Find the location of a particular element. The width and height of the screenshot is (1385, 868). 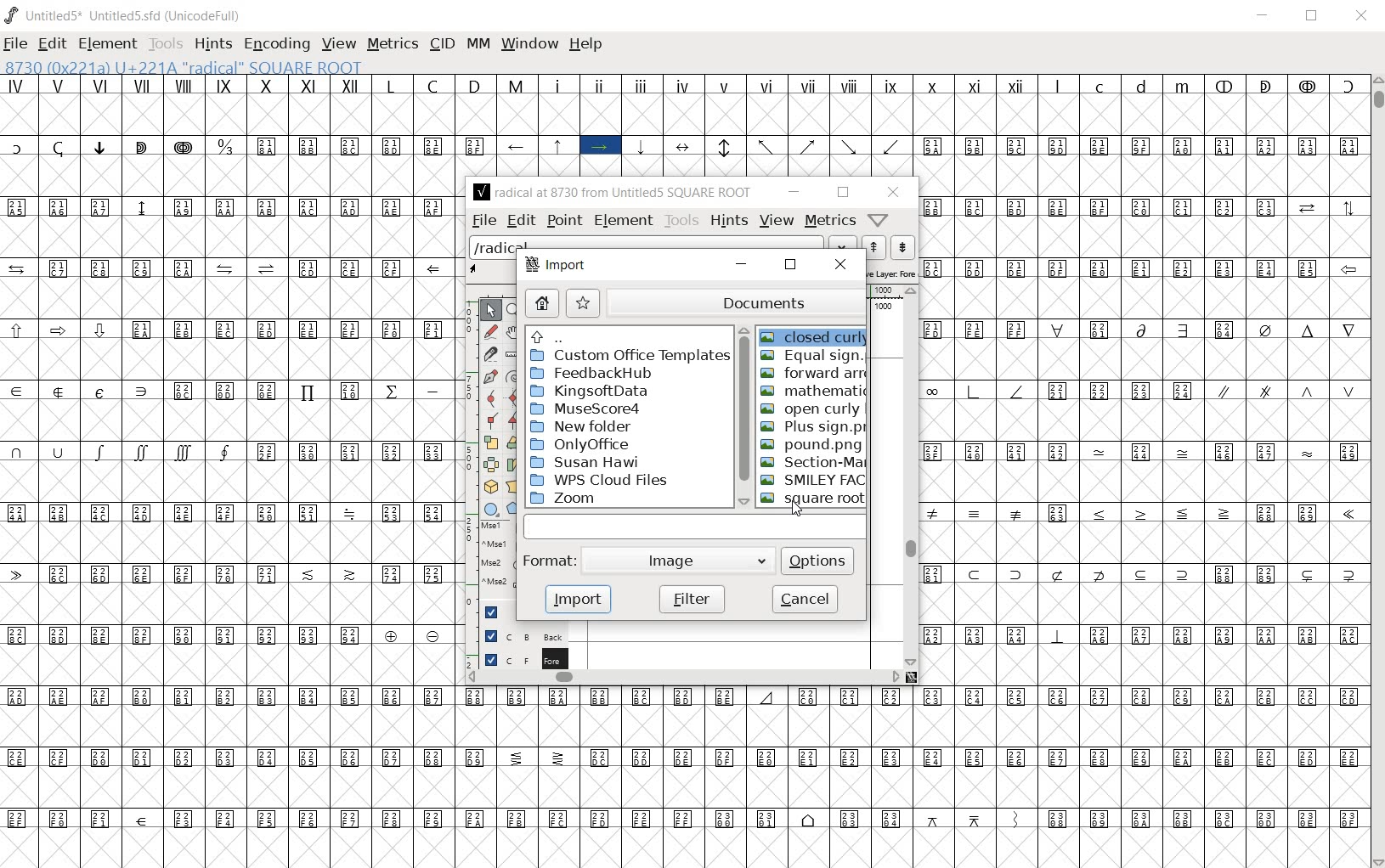

WPS Cloud Files is located at coordinates (603, 482).